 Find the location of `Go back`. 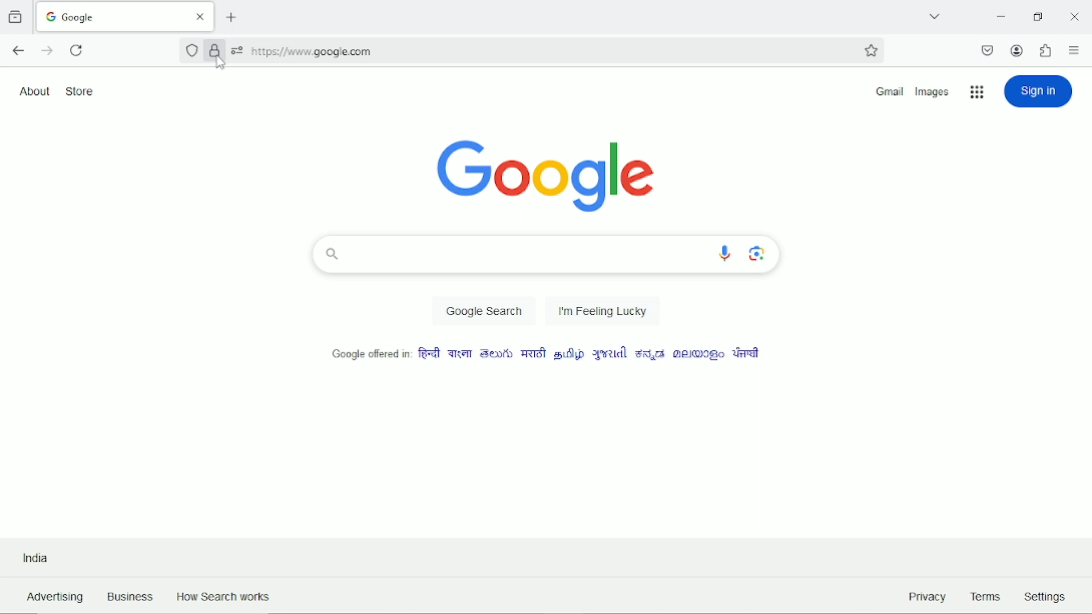

Go back is located at coordinates (18, 50).